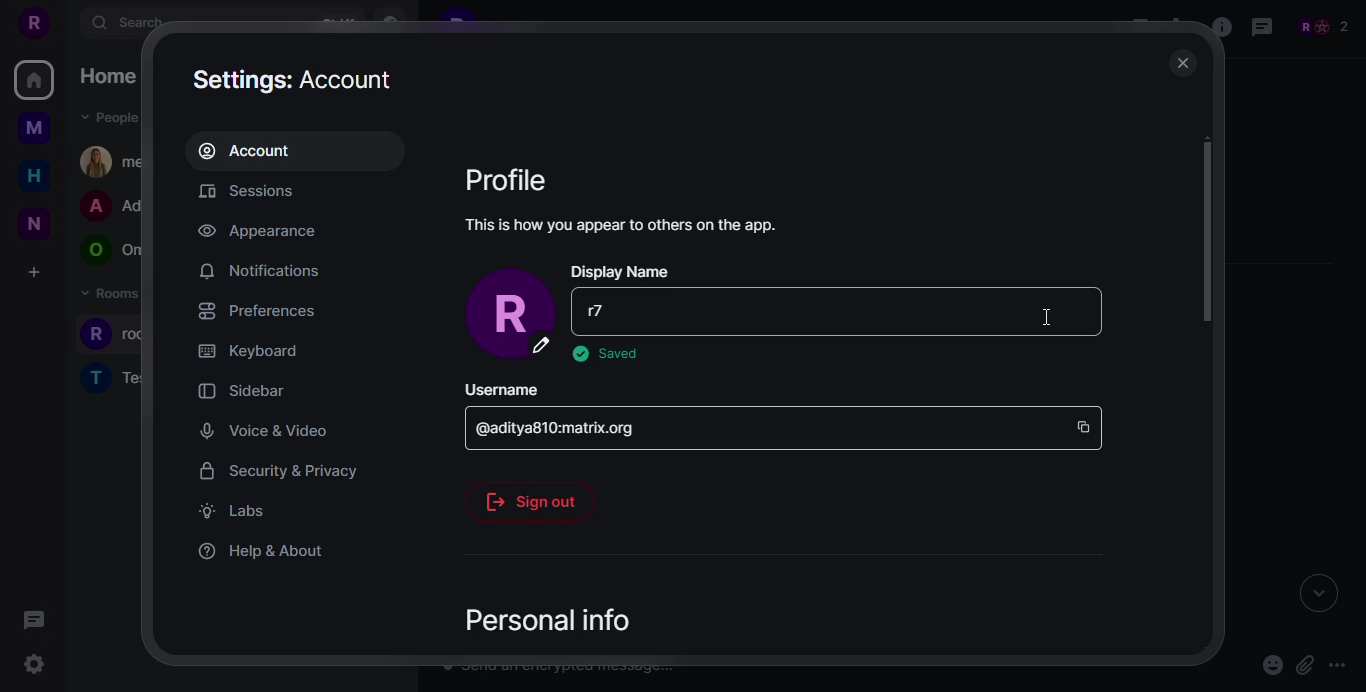 This screenshot has height=692, width=1366. What do you see at coordinates (1212, 231) in the screenshot?
I see `scroll bar` at bounding box center [1212, 231].